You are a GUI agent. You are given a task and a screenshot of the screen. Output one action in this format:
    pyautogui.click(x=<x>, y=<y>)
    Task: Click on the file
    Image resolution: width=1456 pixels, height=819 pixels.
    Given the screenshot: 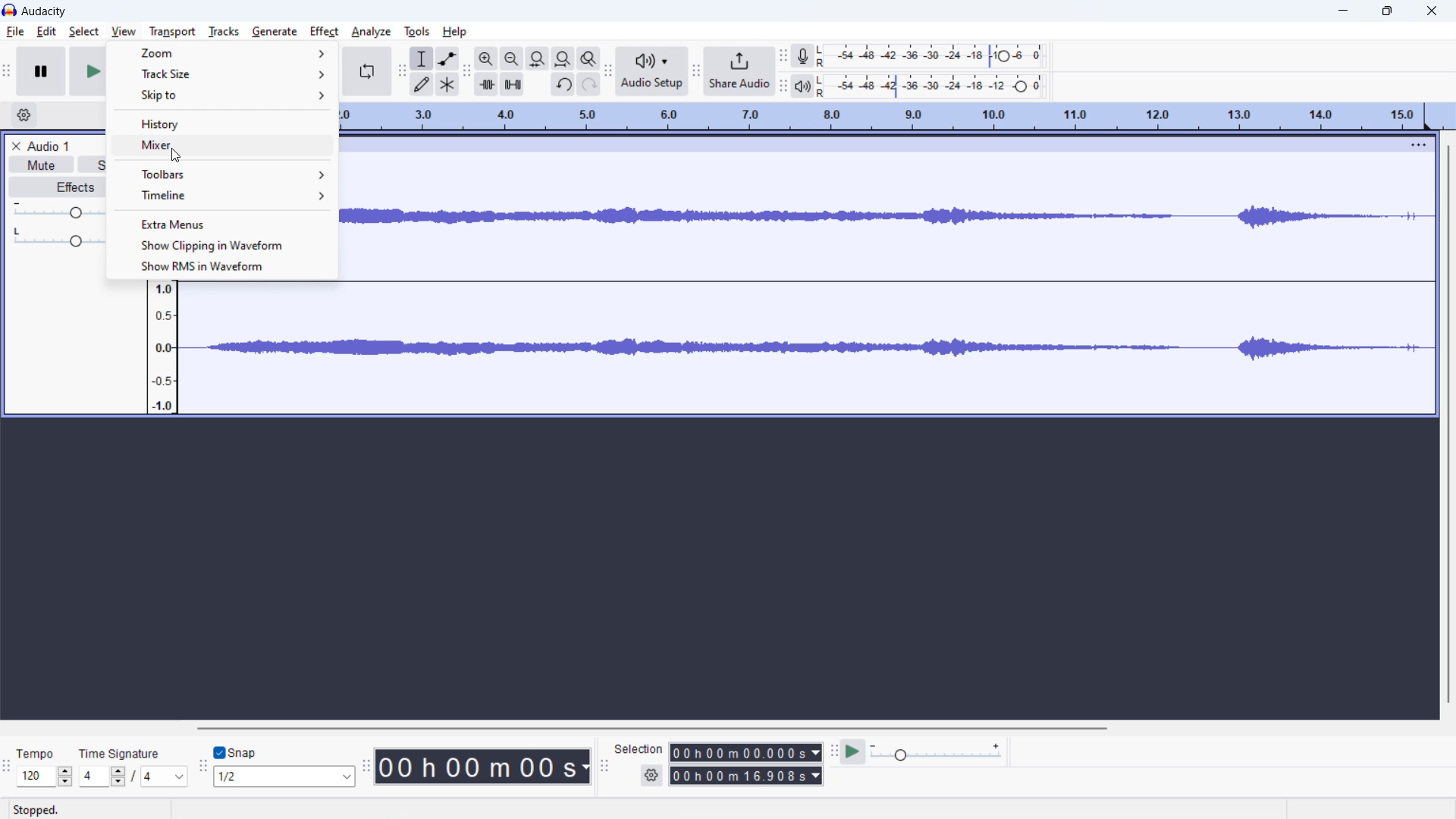 What is the action you would take?
    pyautogui.click(x=16, y=32)
    